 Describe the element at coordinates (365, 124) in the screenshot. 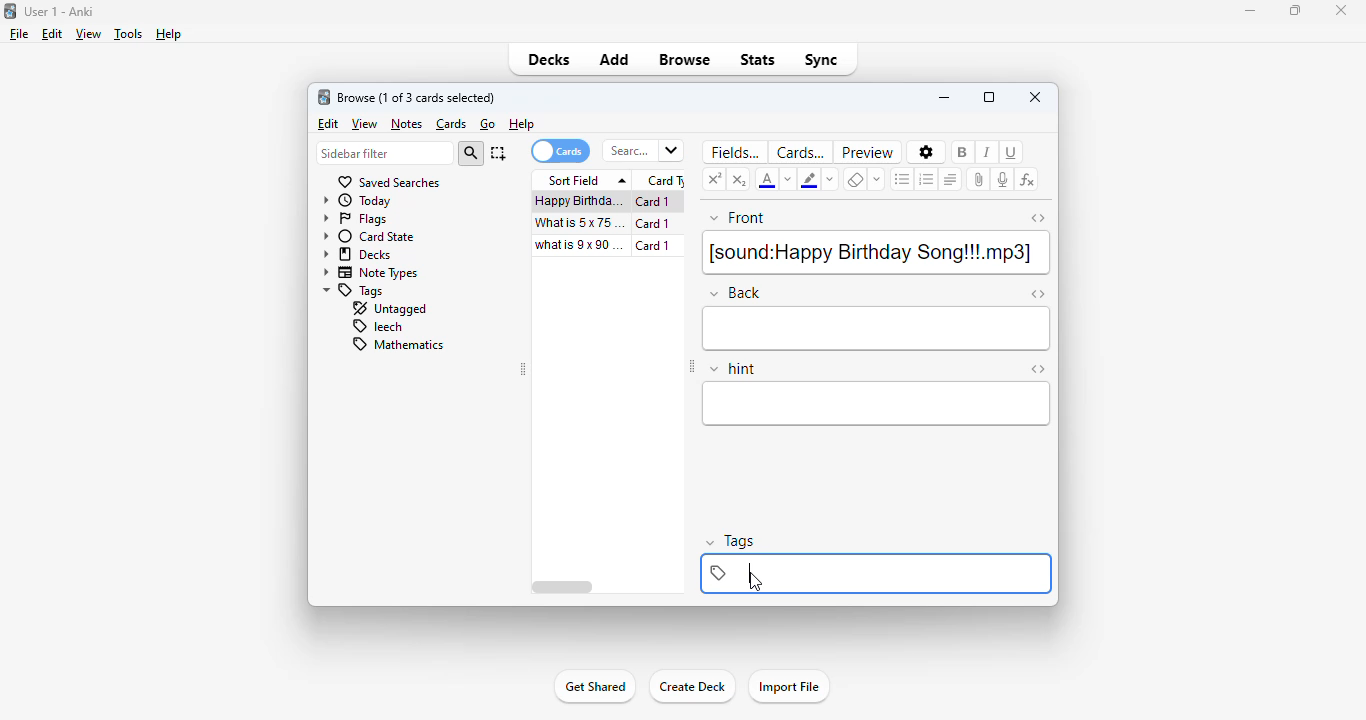

I see `view` at that location.